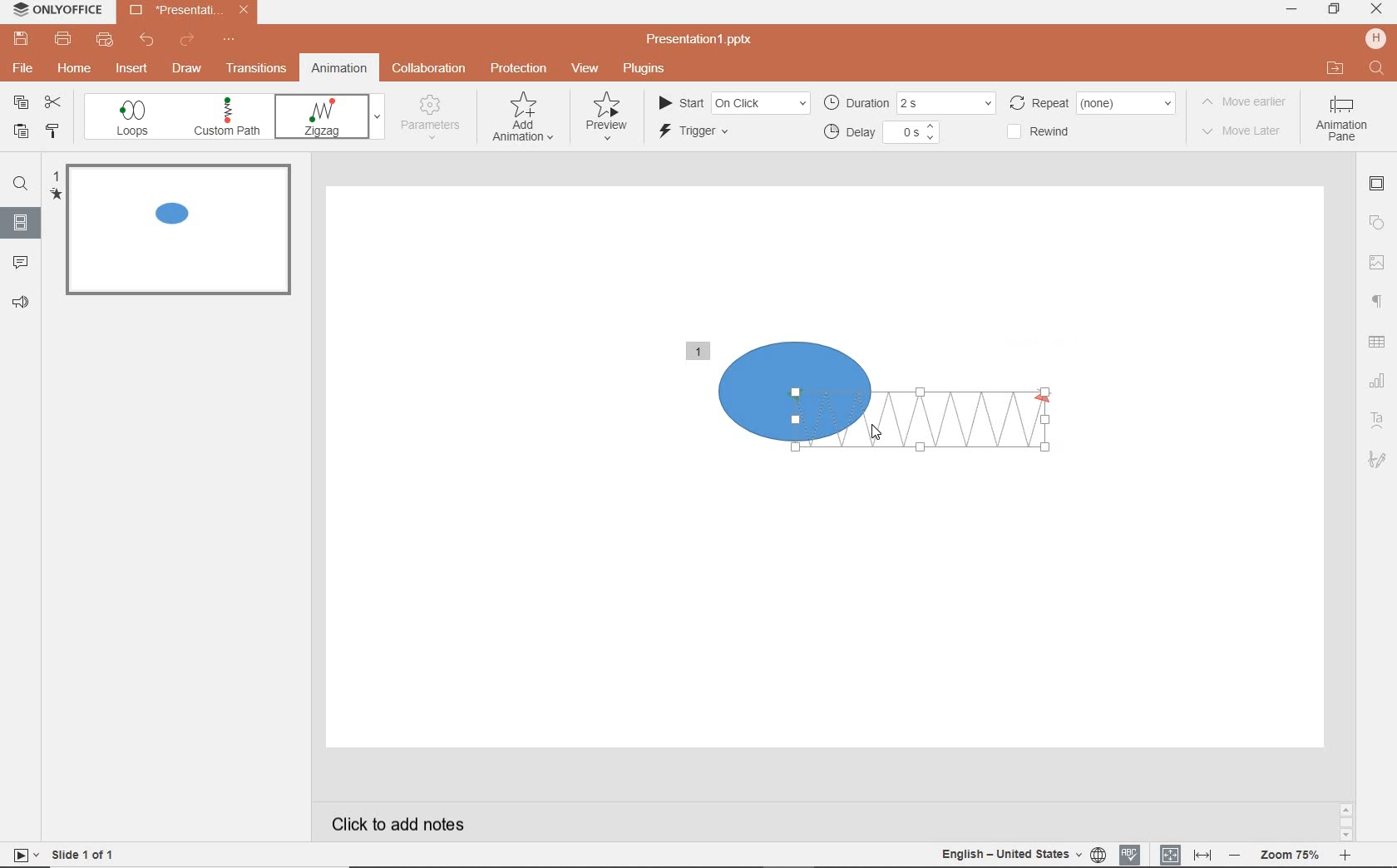  Describe the element at coordinates (653, 69) in the screenshot. I see `plugins` at that location.